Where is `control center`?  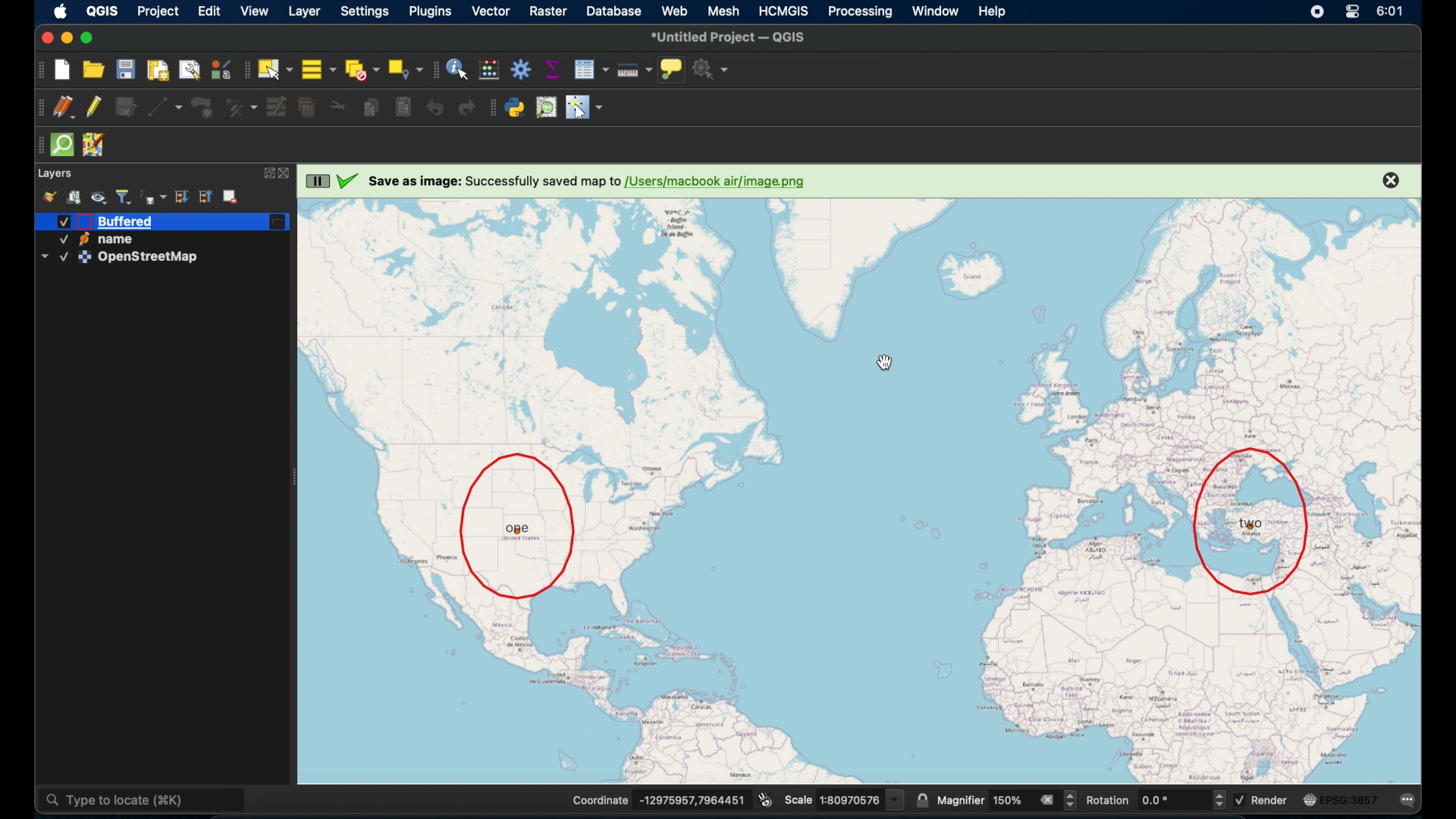
control center is located at coordinates (1353, 11).